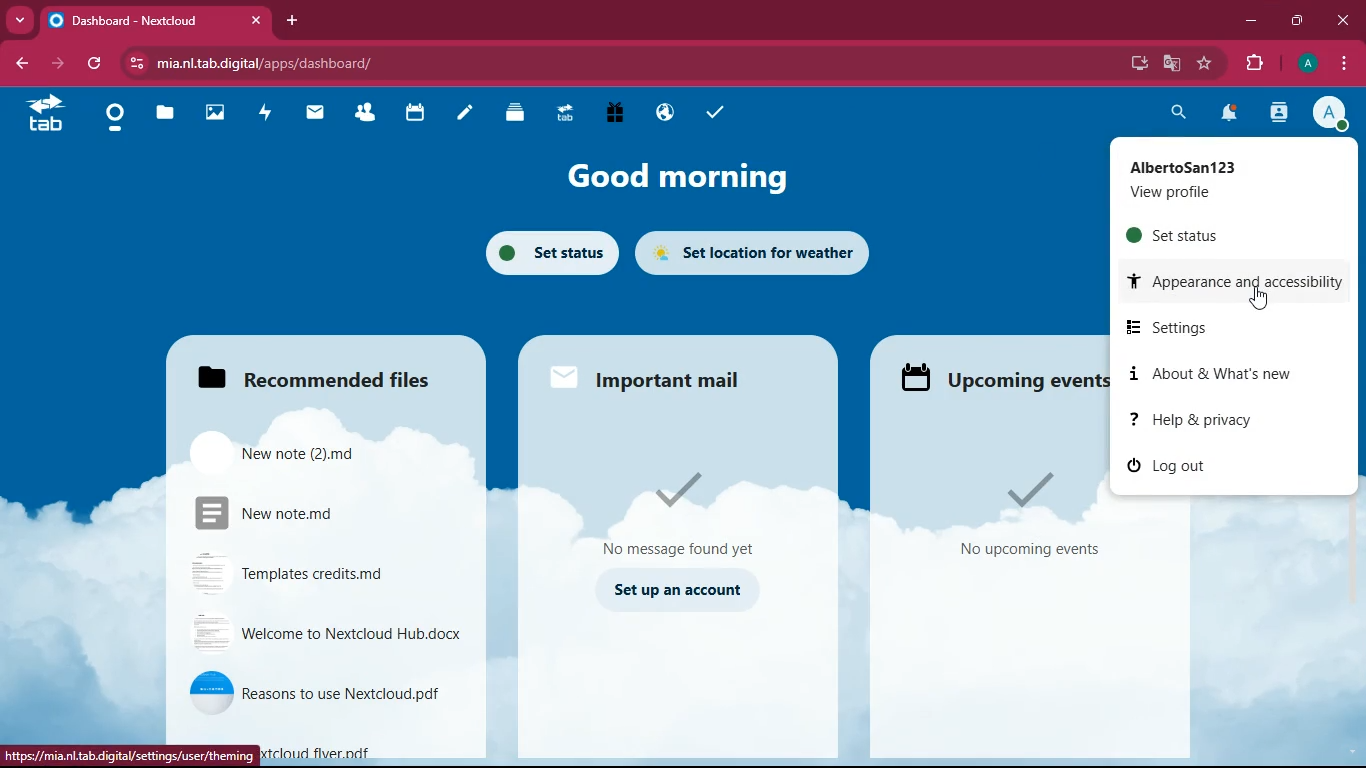  Describe the element at coordinates (363, 115) in the screenshot. I see `friends` at that location.